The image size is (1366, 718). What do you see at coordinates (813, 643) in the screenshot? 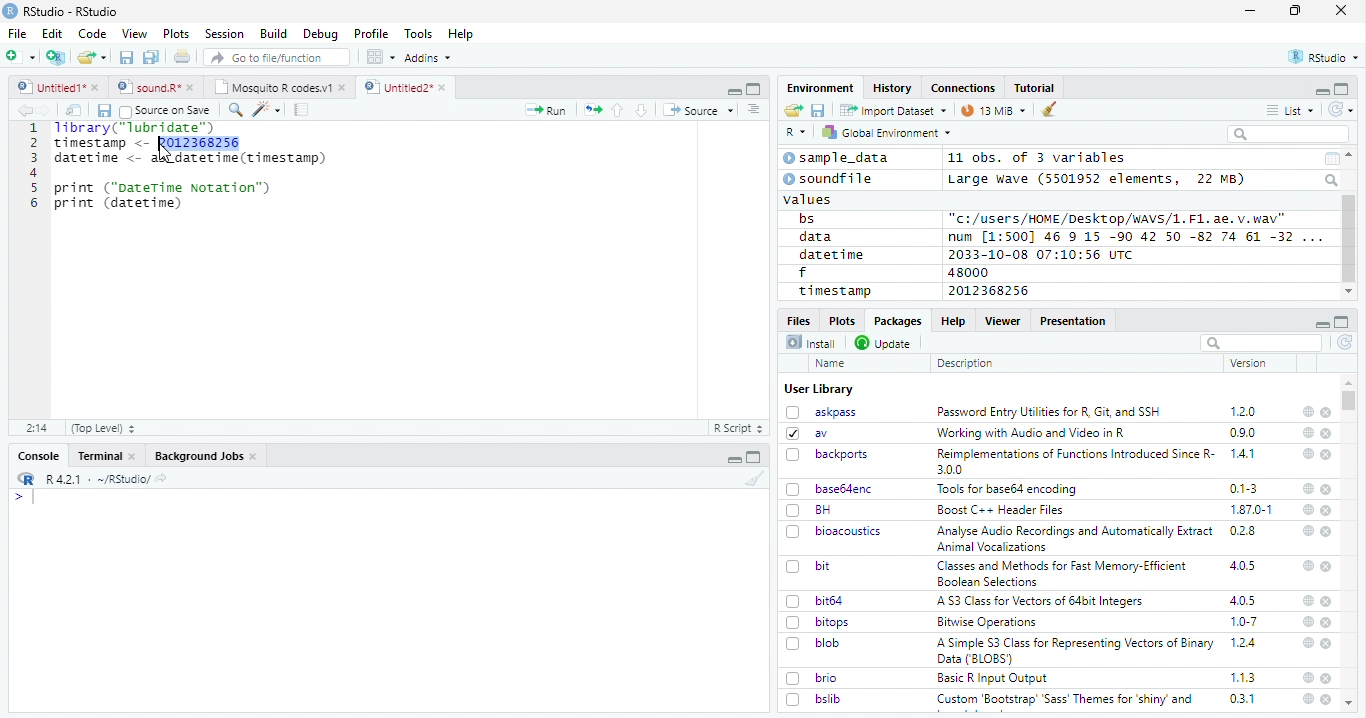
I see `blob` at bounding box center [813, 643].